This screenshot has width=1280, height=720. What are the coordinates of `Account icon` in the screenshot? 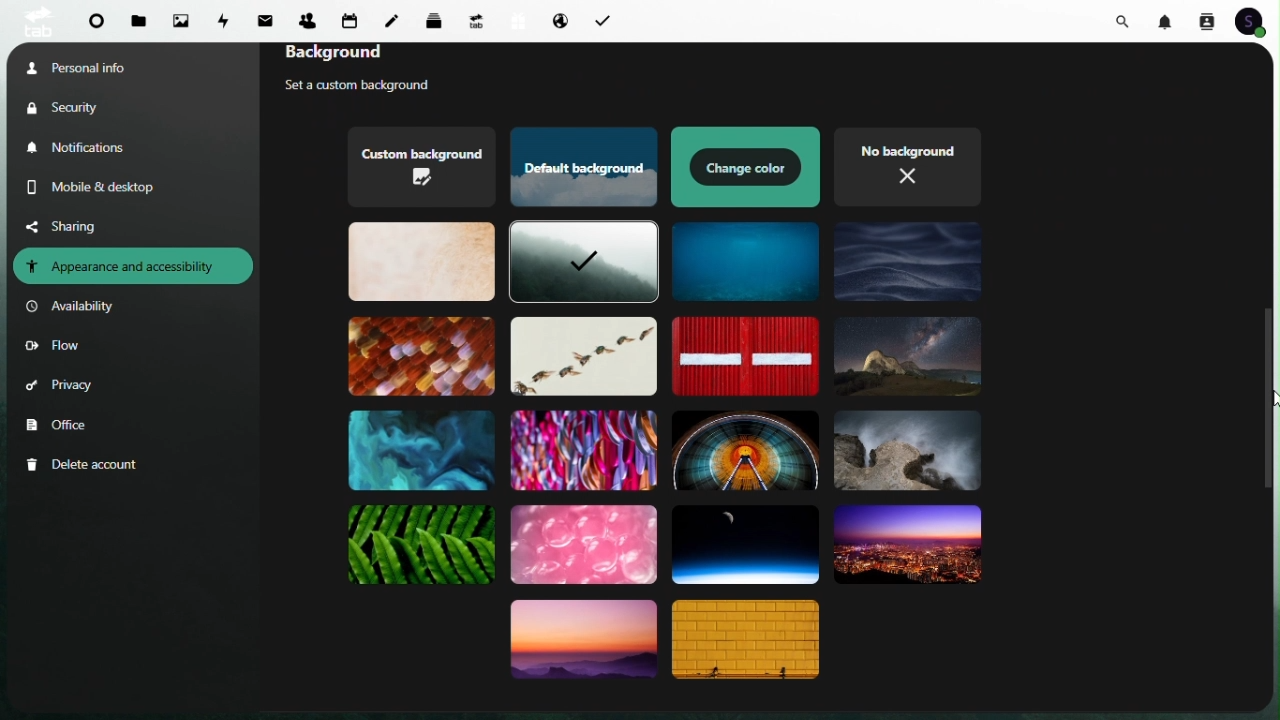 It's located at (1251, 20).